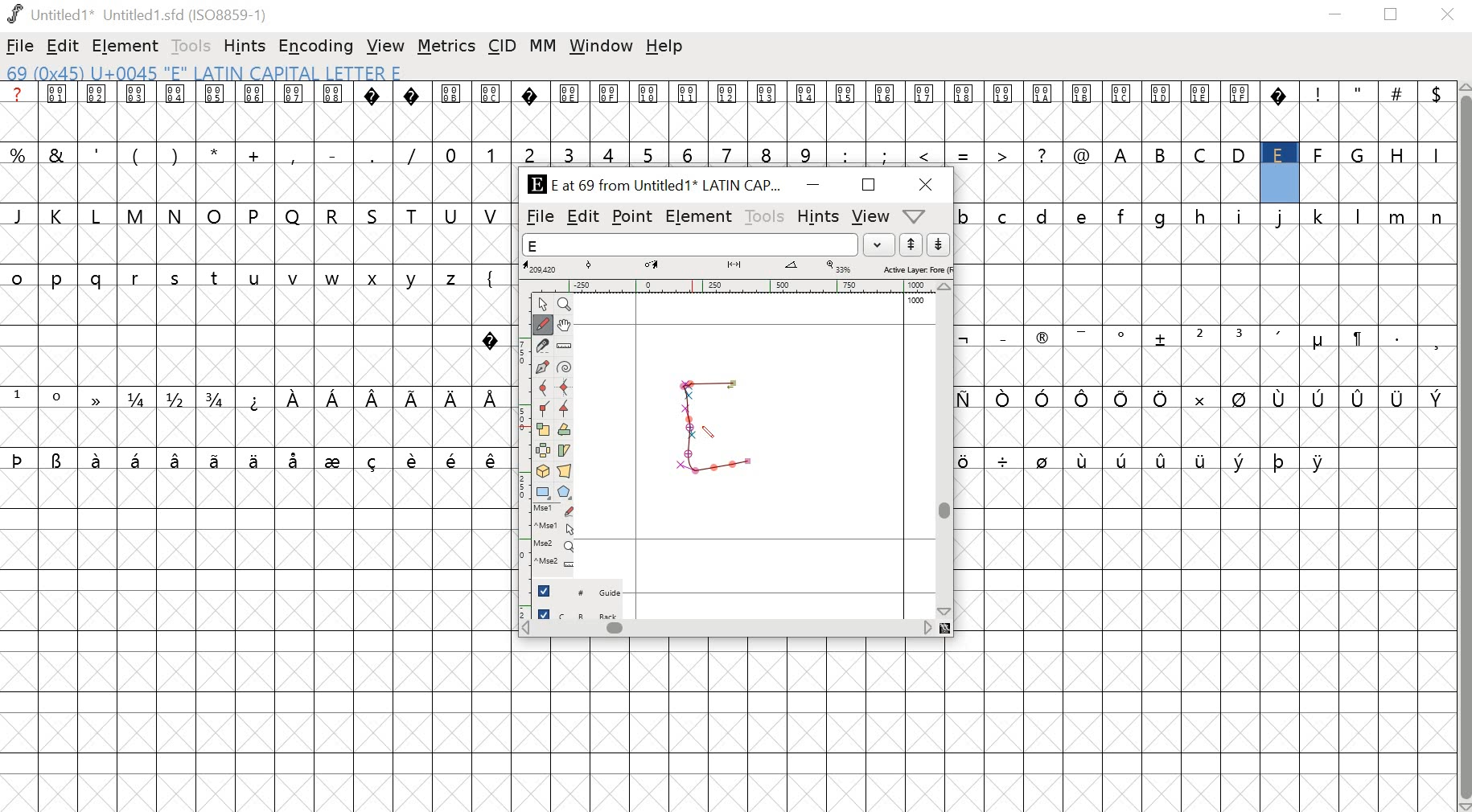 This screenshot has height=812, width=1472. I want to click on special characters and symbols, so click(1207, 338).